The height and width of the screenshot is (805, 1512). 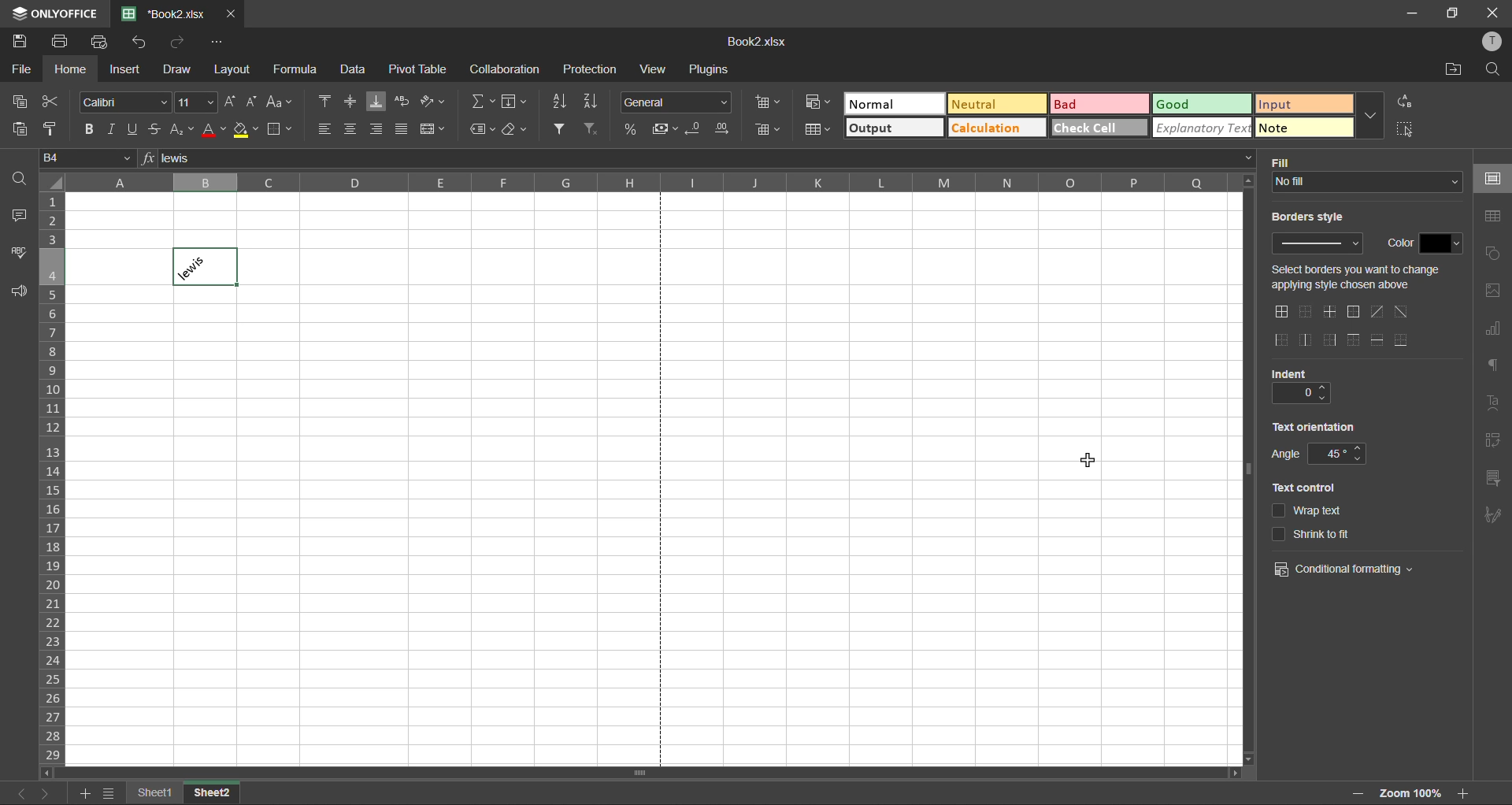 What do you see at coordinates (1303, 338) in the screenshot?
I see `only middle border` at bounding box center [1303, 338].